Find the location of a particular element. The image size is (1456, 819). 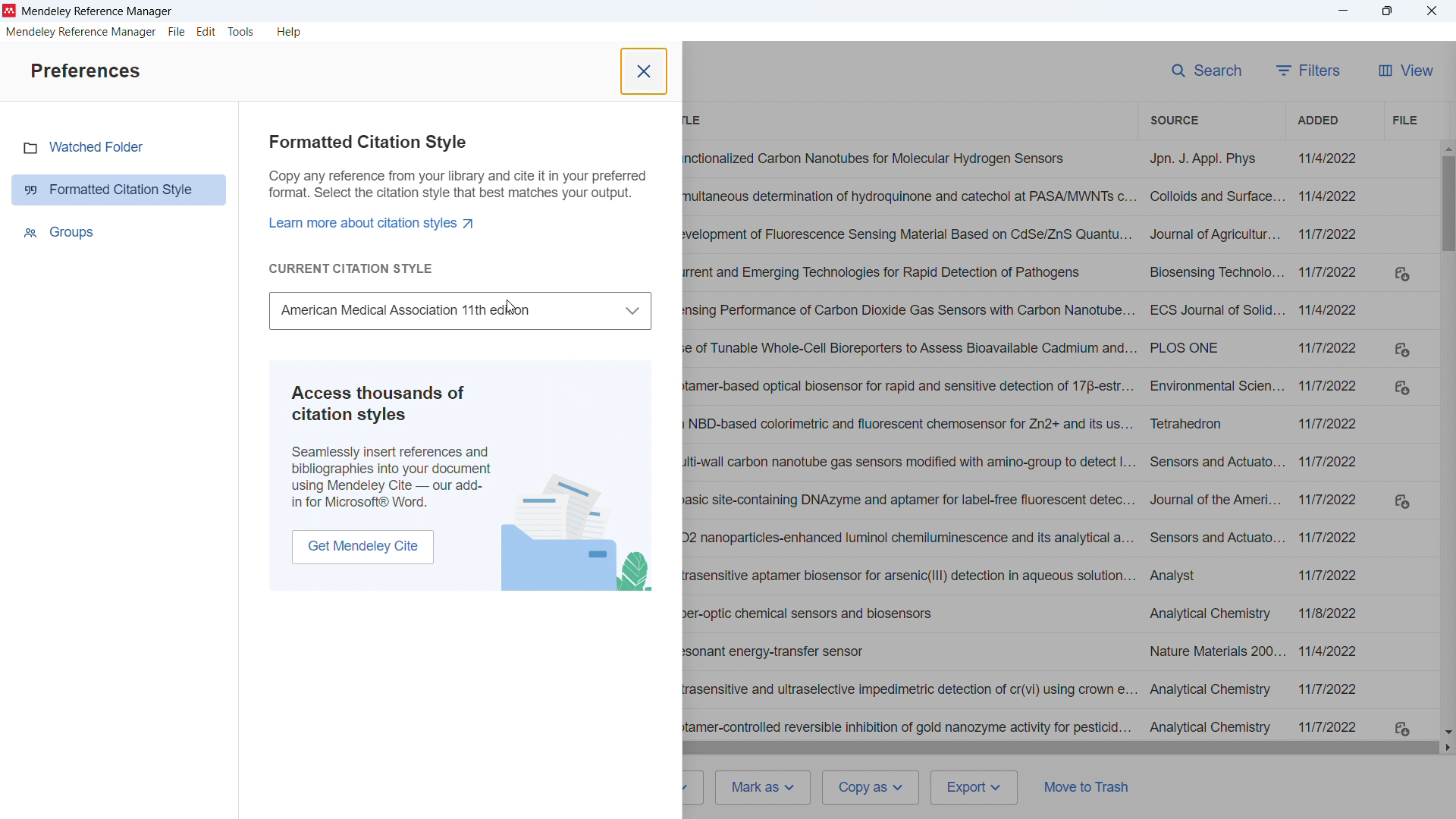

Scroll down is located at coordinates (1446, 732).